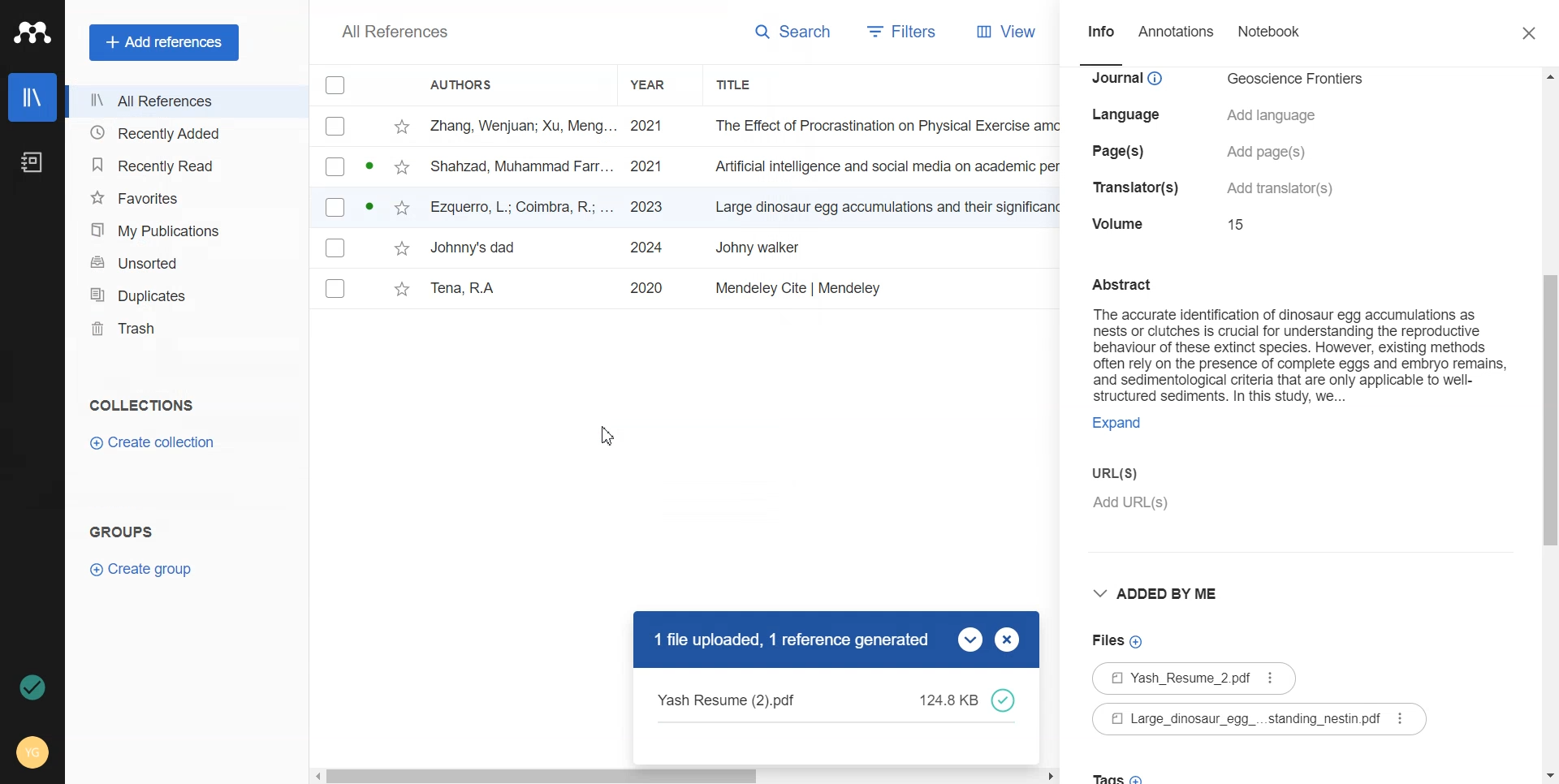  What do you see at coordinates (1120, 152) in the screenshot?
I see `details` at bounding box center [1120, 152].